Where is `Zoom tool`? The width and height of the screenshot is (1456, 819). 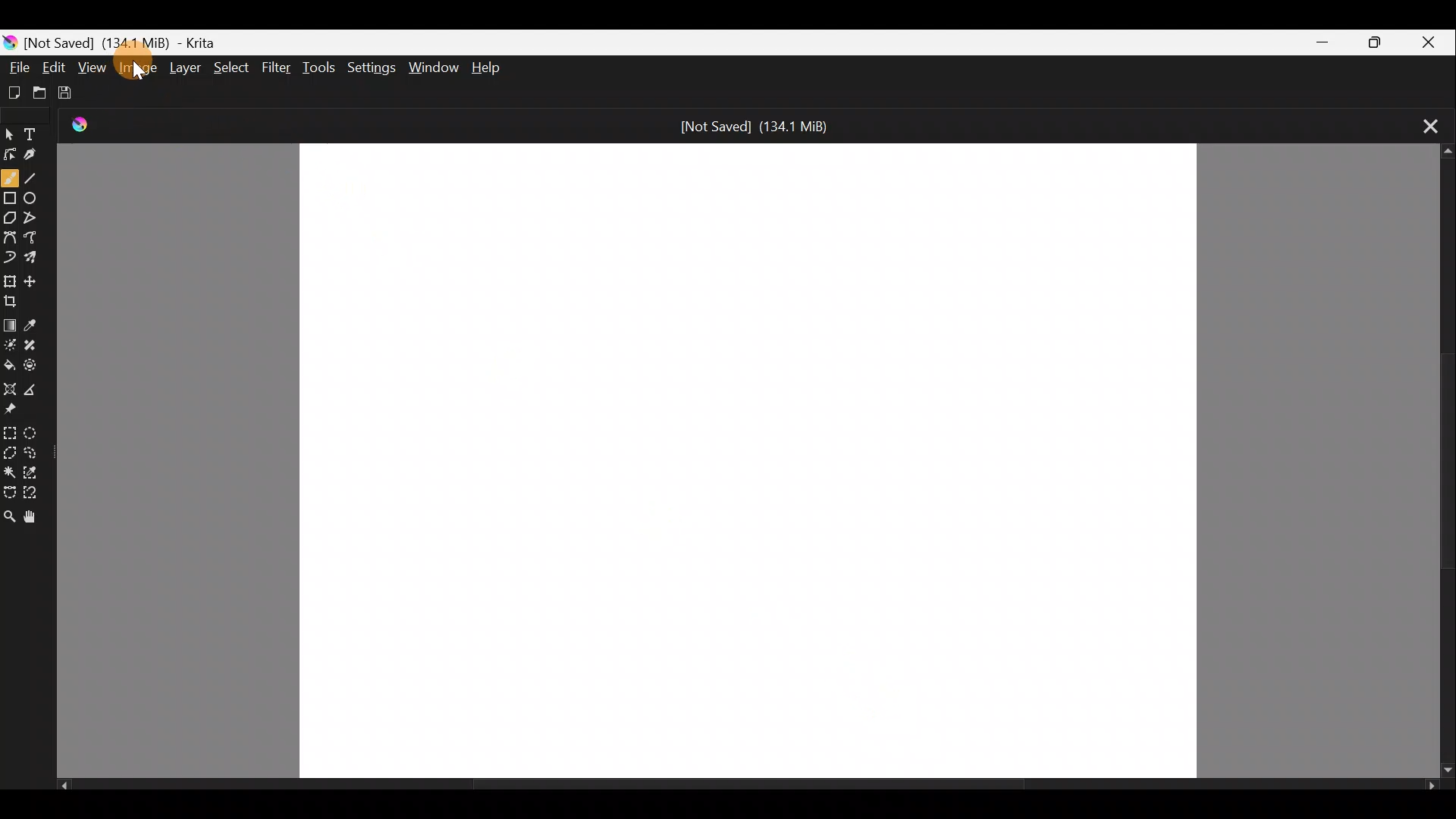 Zoom tool is located at coordinates (9, 517).